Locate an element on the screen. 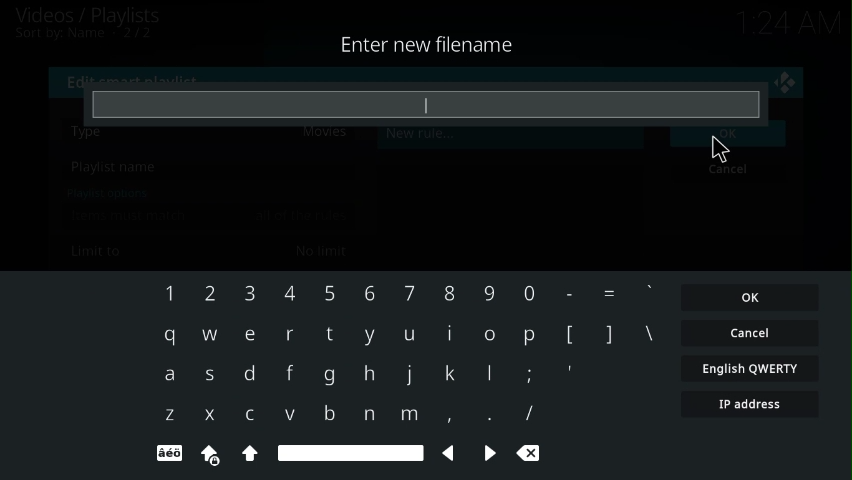  - is located at coordinates (569, 293).